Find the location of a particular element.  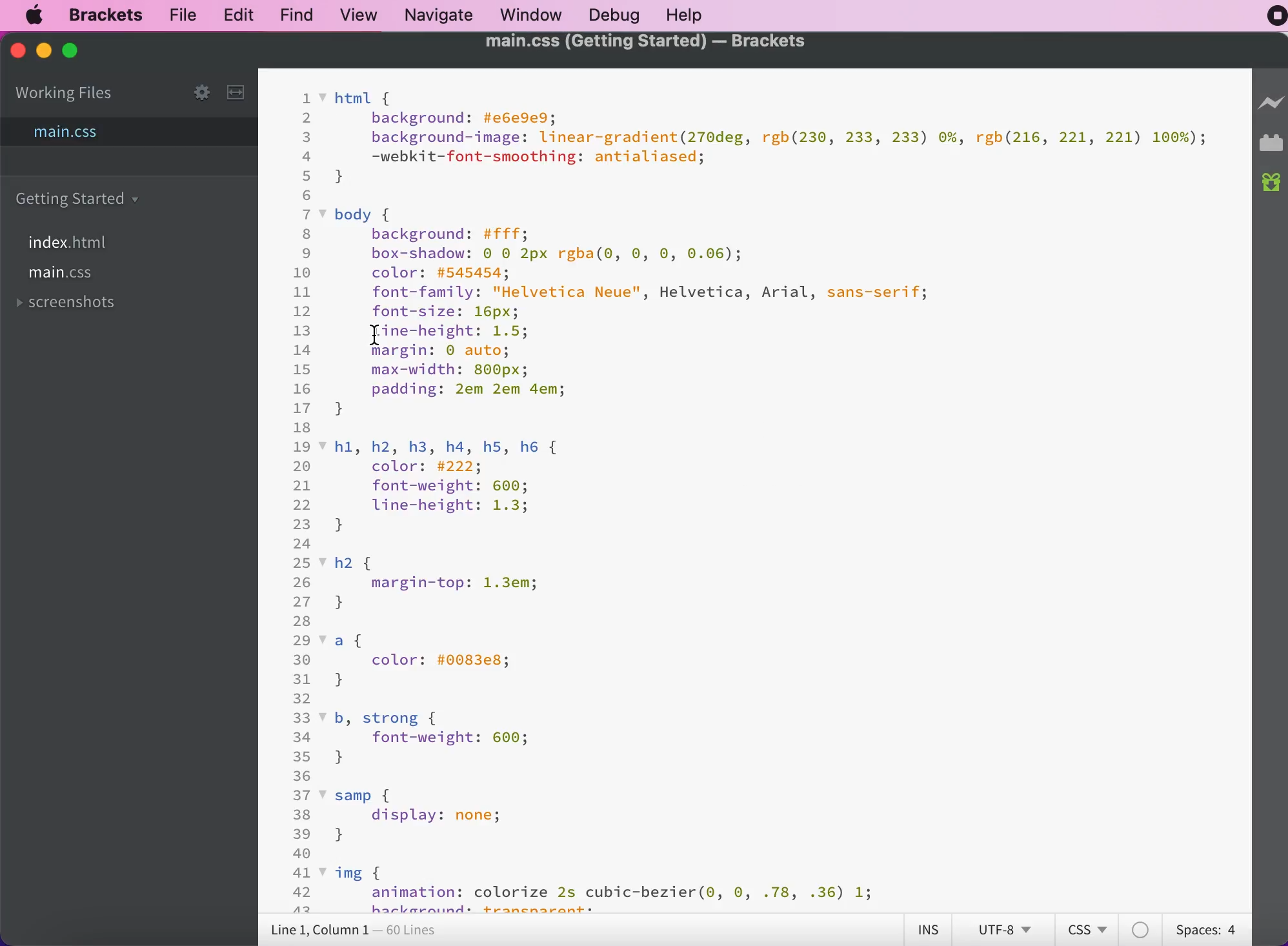

cursor is located at coordinates (376, 334).